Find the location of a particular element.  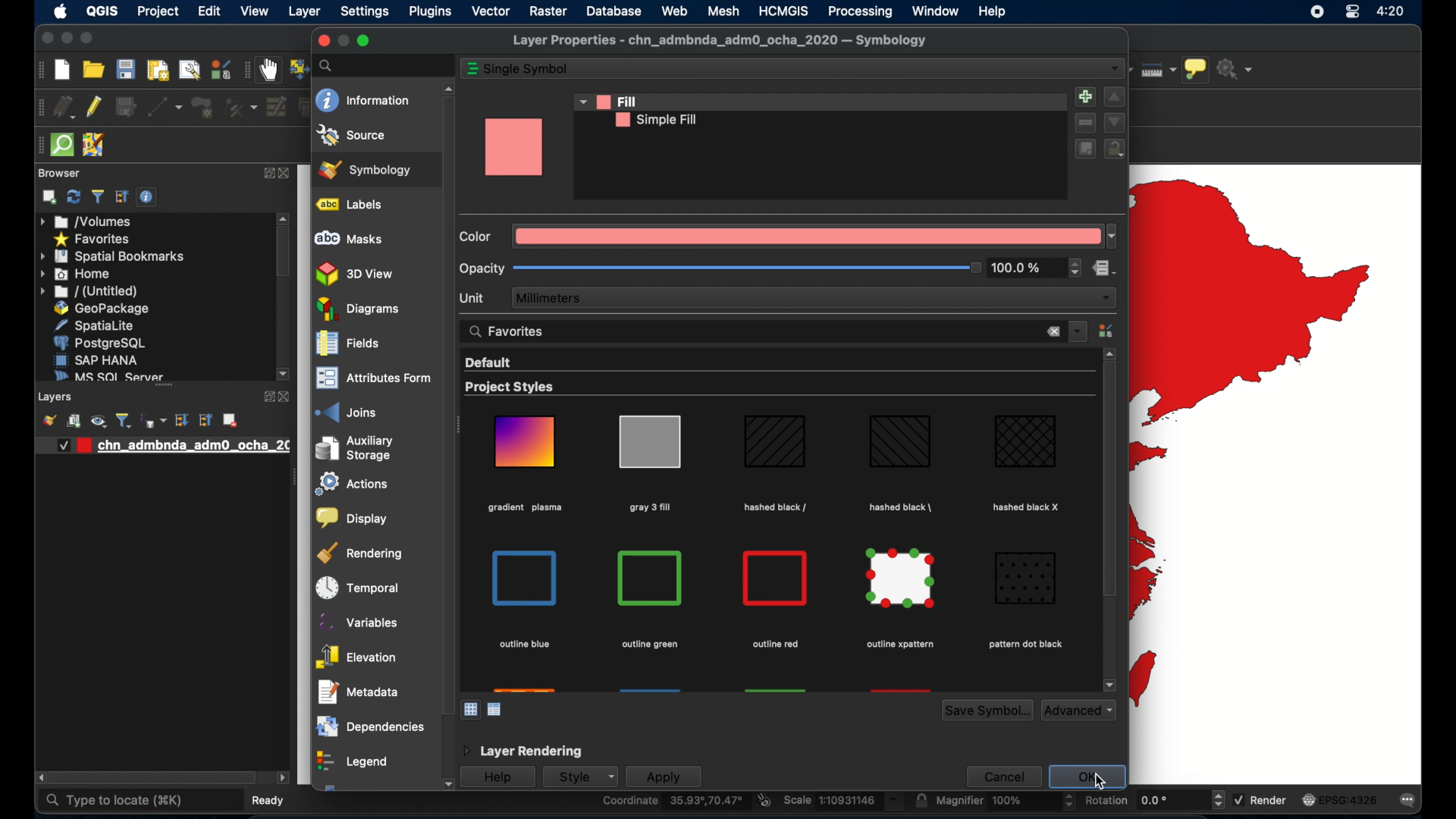

geopackage is located at coordinates (102, 309).